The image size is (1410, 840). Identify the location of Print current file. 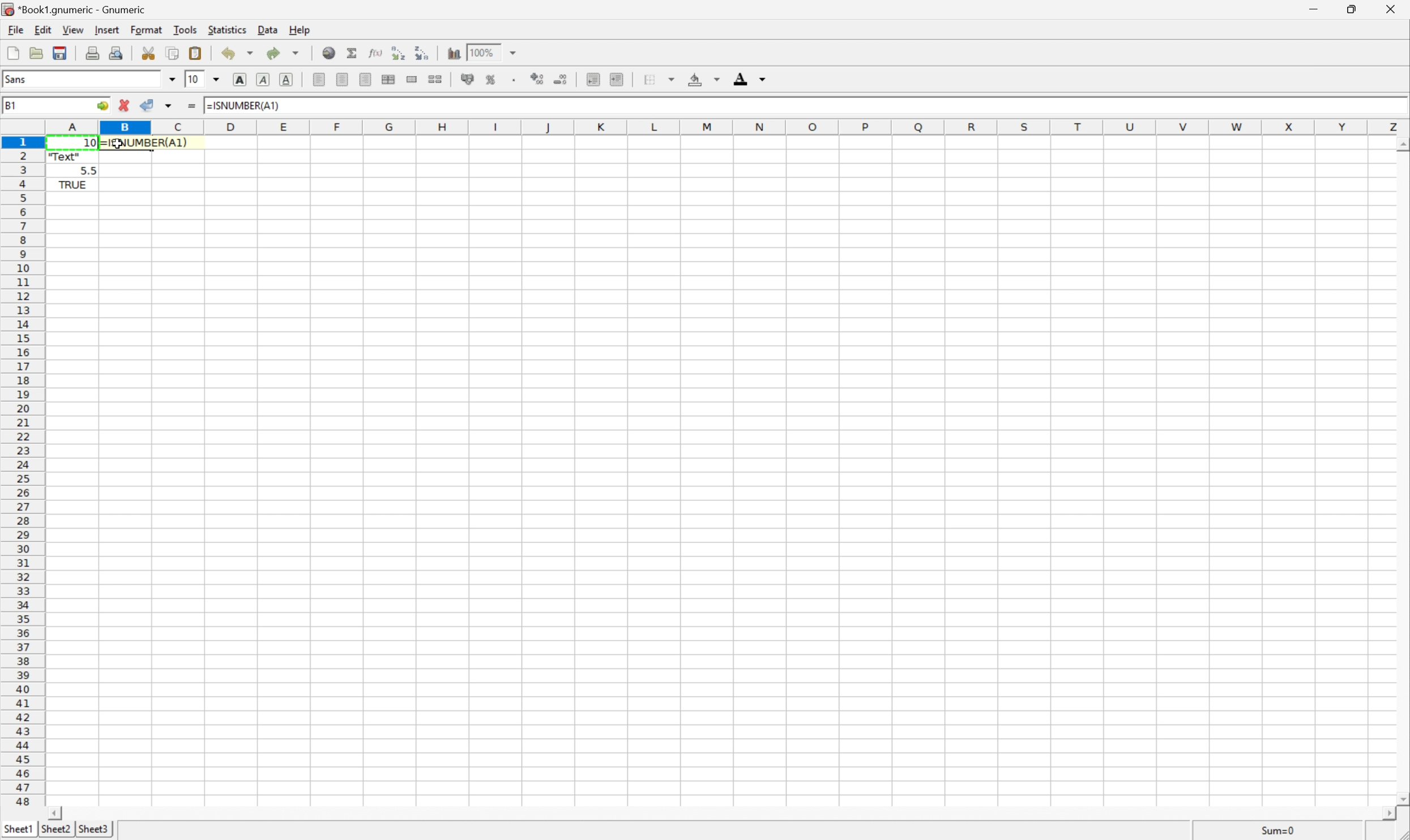
(93, 53).